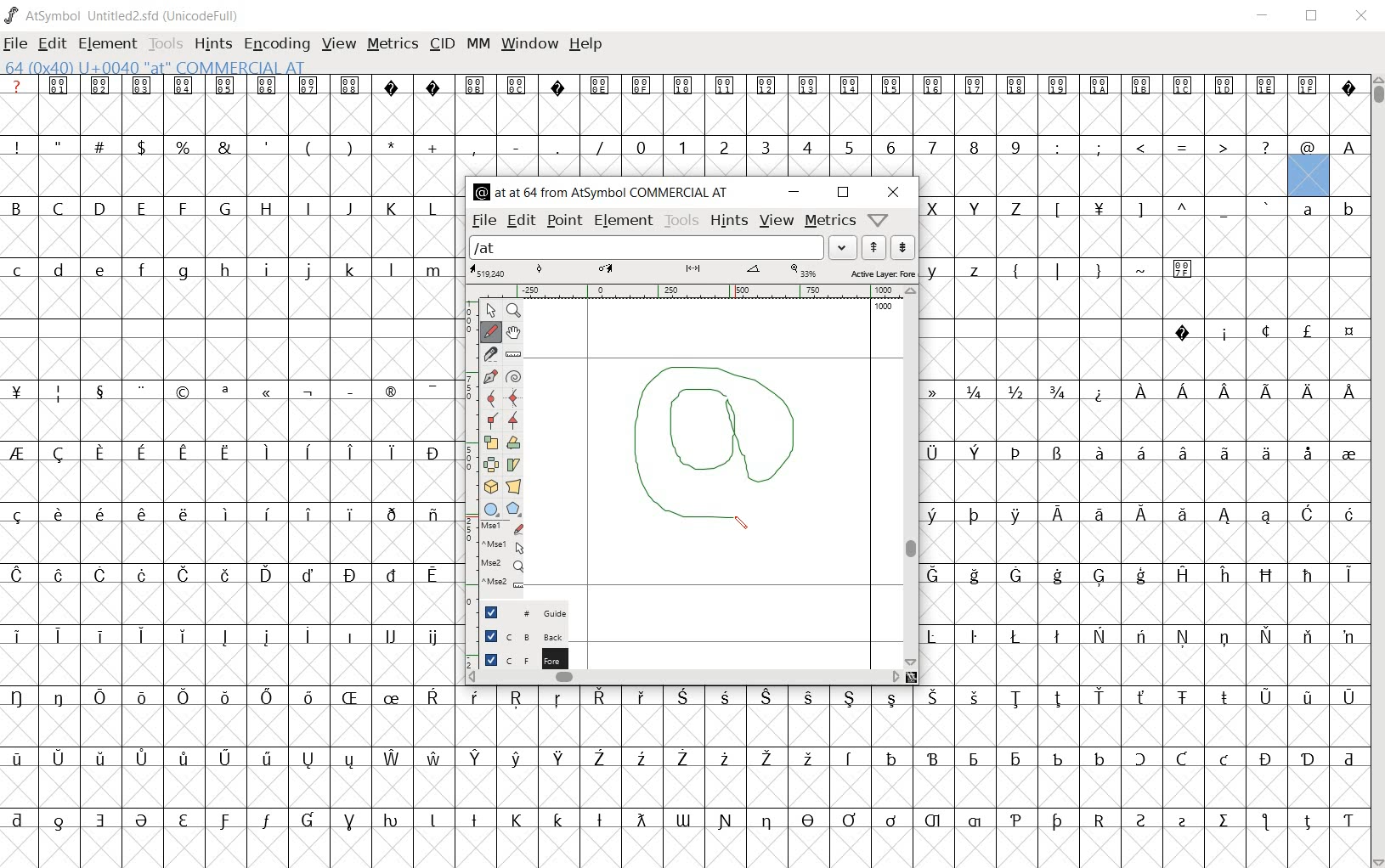 This screenshot has width=1385, height=868. What do you see at coordinates (532, 42) in the screenshot?
I see `WINDOW` at bounding box center [532, 42].